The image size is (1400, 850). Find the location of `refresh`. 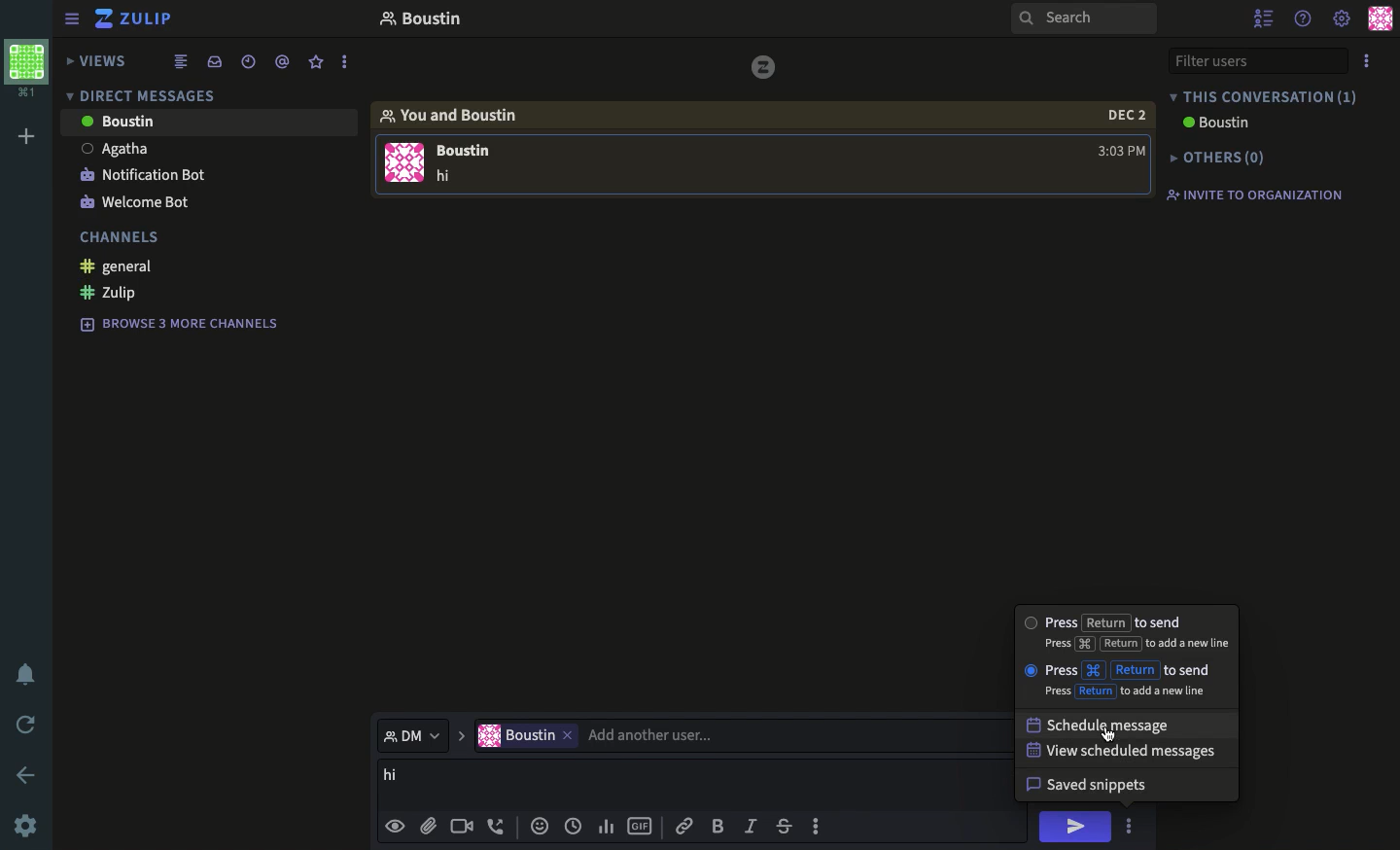

refresh is located at coordinates (27, 725).